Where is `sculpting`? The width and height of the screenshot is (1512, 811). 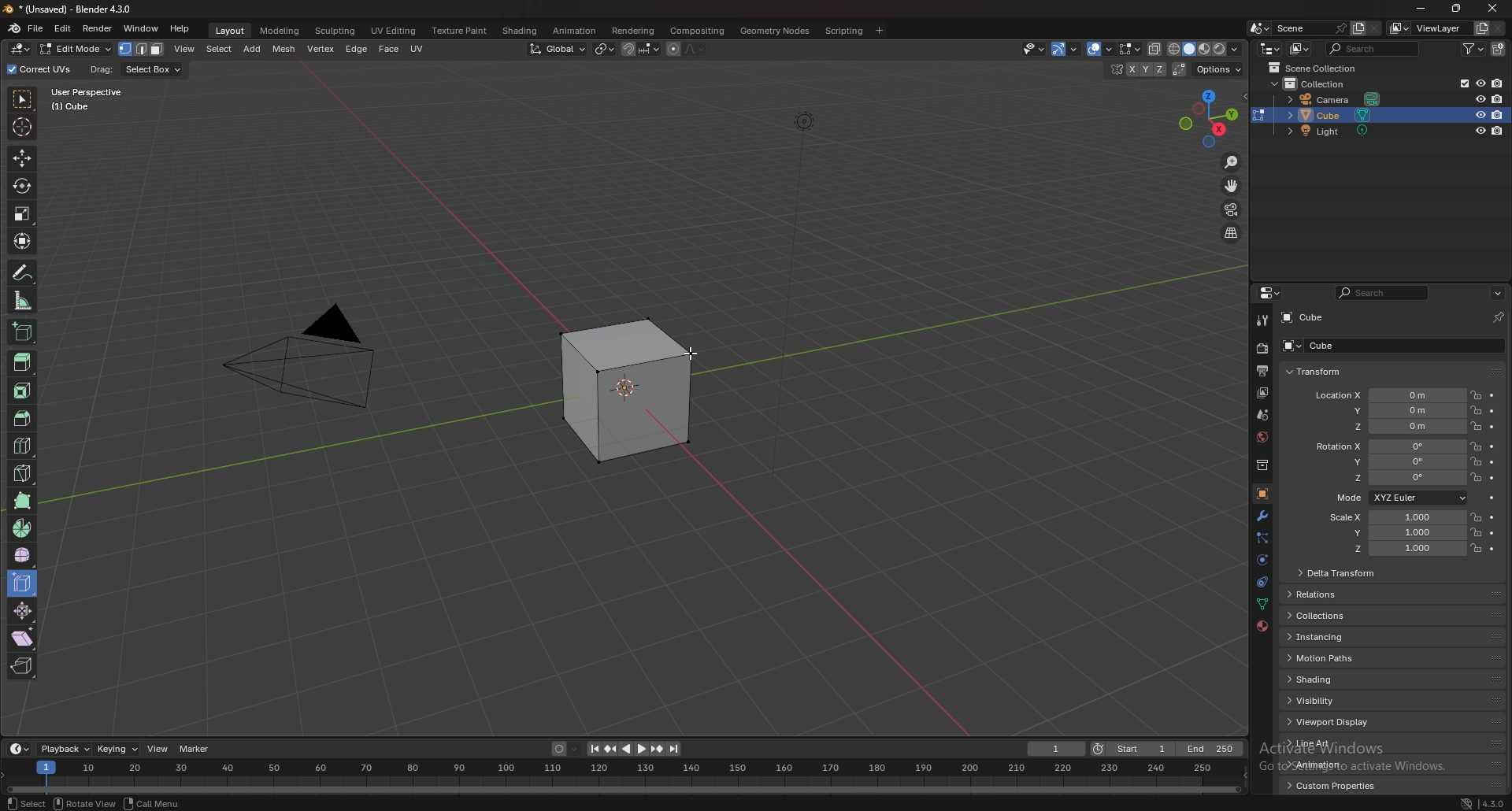
sculpting is located at coordinates (335, 31).